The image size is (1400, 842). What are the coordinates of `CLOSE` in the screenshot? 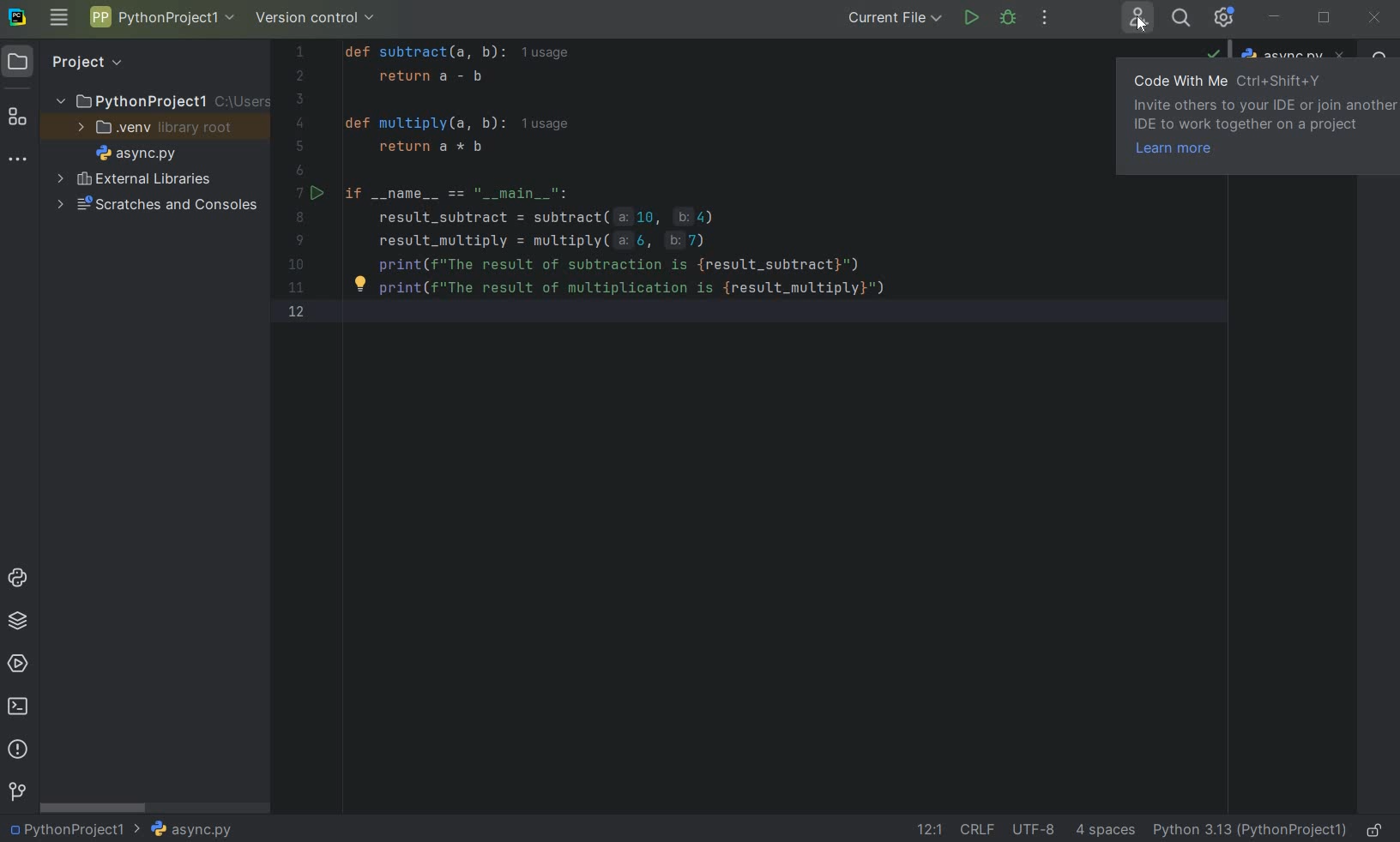 It's located at (1373, 19).